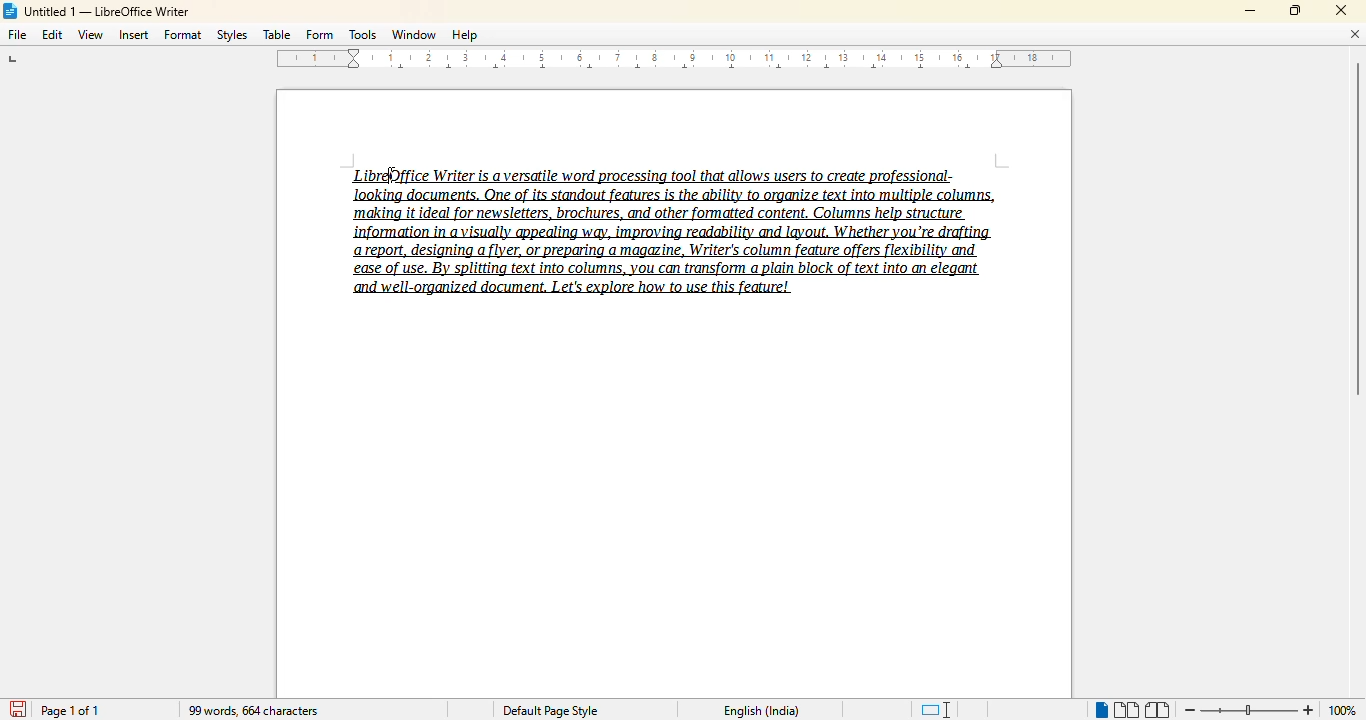 This screenshot has height=720, width=1366. I want to click on page 1 of 1, so click(71, 711).